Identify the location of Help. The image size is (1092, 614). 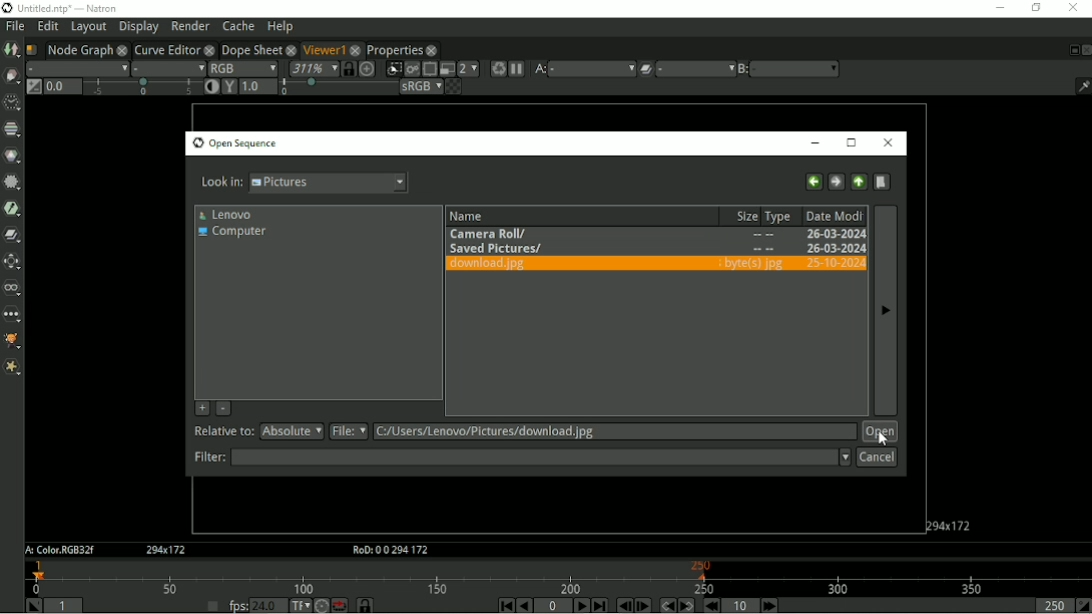
(281, 26).